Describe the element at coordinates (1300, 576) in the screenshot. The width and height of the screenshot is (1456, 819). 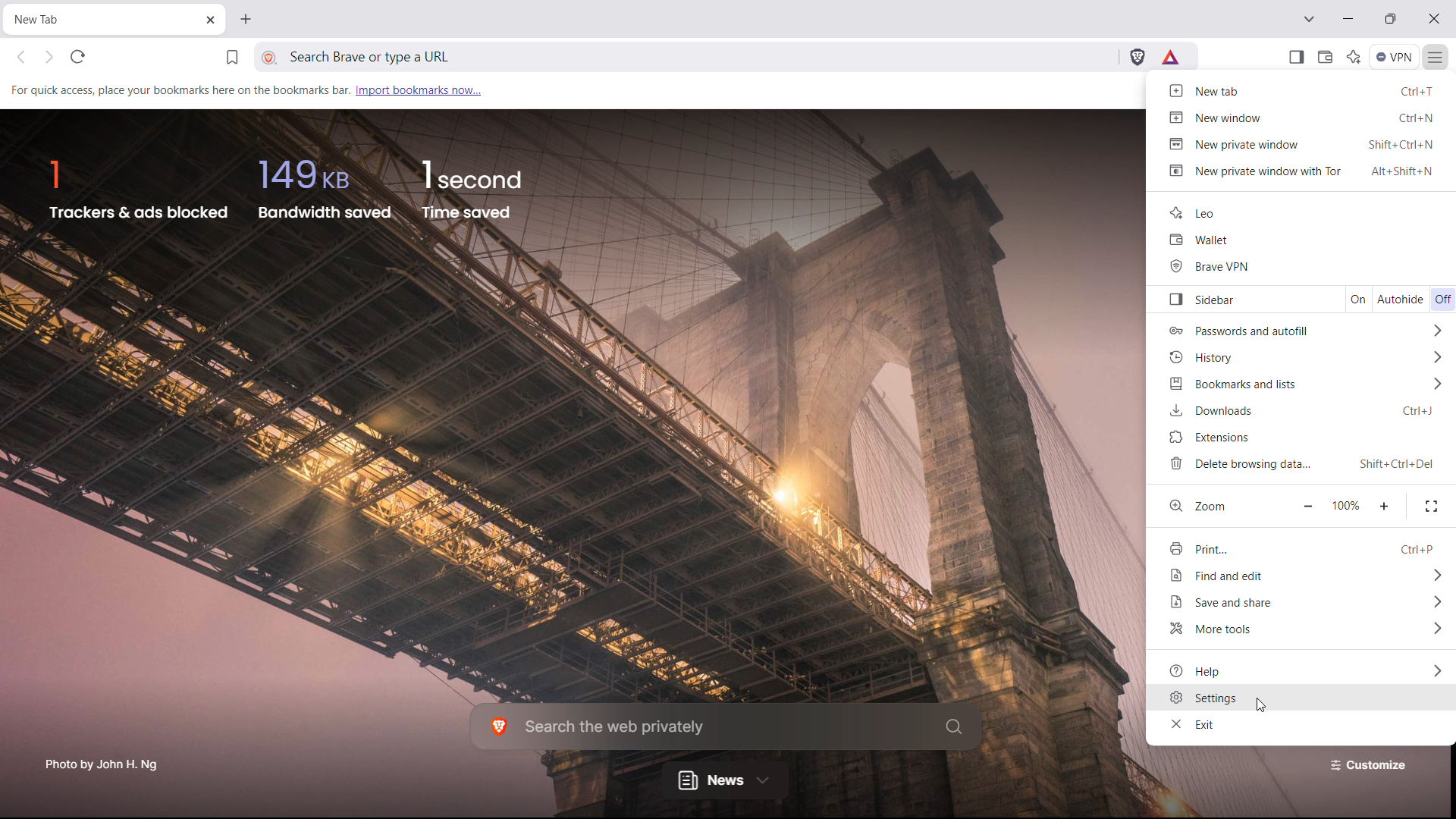
I see `find and edit` at that location.